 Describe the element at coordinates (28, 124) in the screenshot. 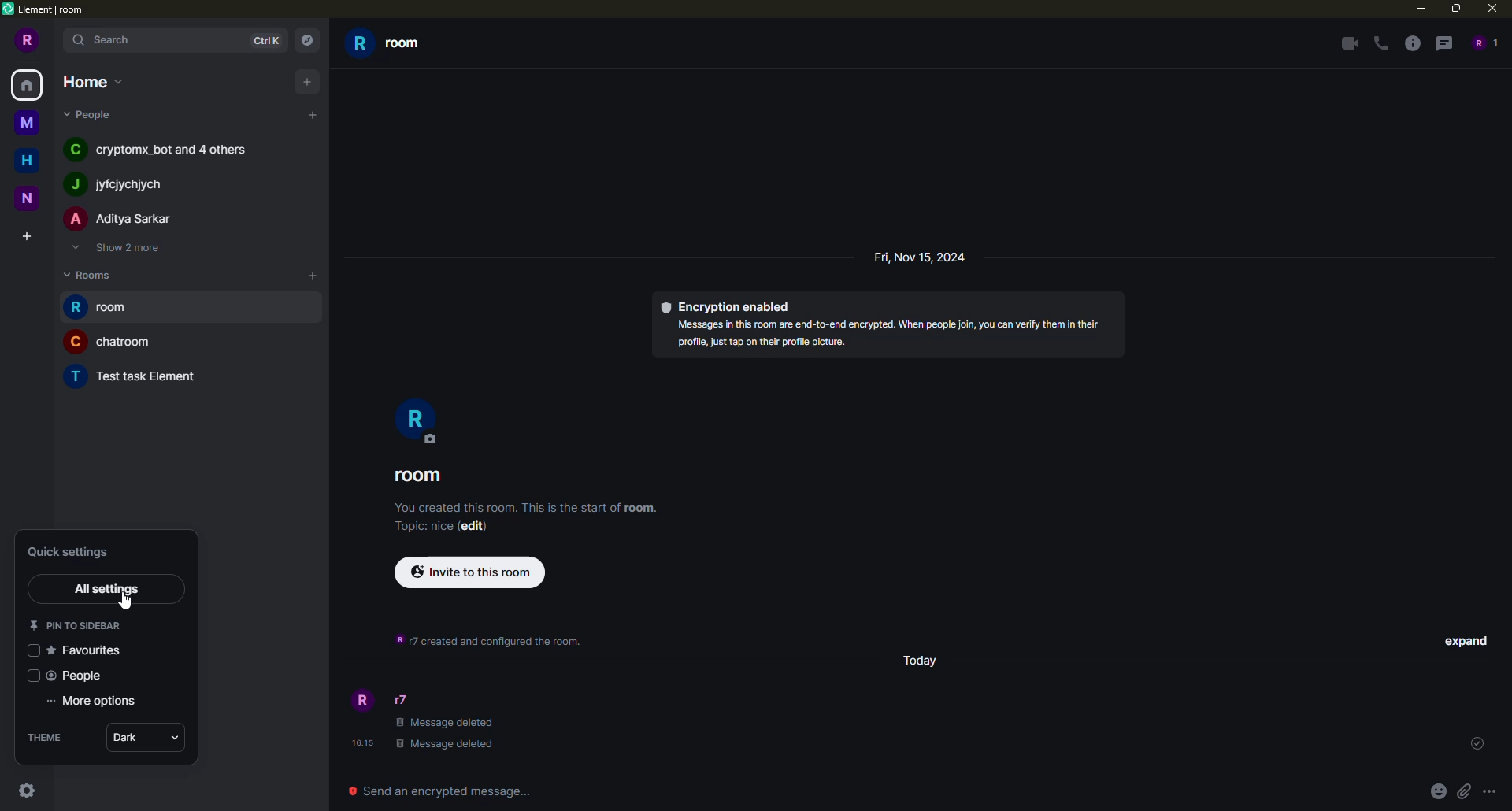

I see `space` at that location.